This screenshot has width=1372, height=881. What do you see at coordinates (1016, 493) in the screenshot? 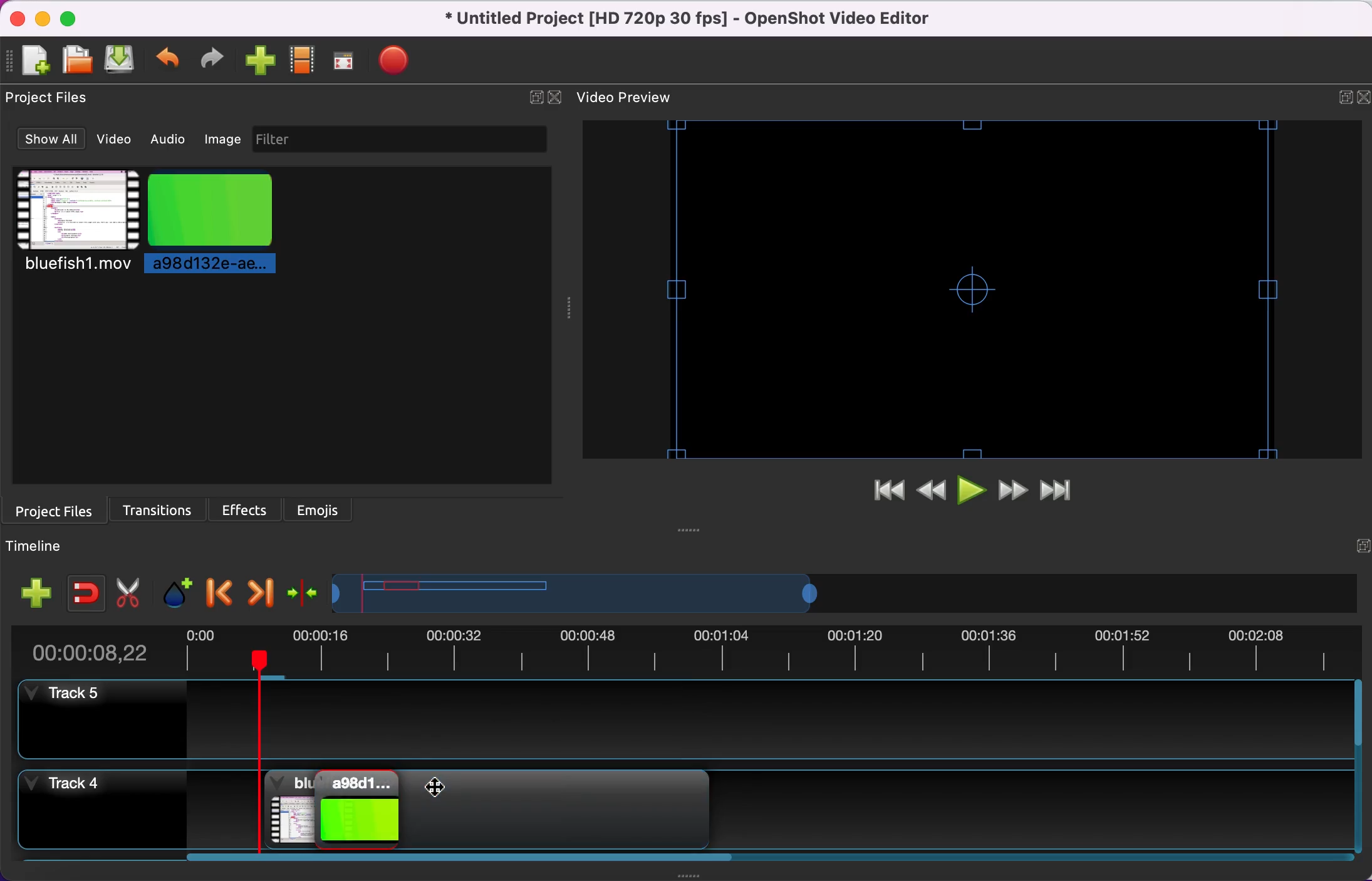
I see `fast forward` at bounding box center [1016, 493].